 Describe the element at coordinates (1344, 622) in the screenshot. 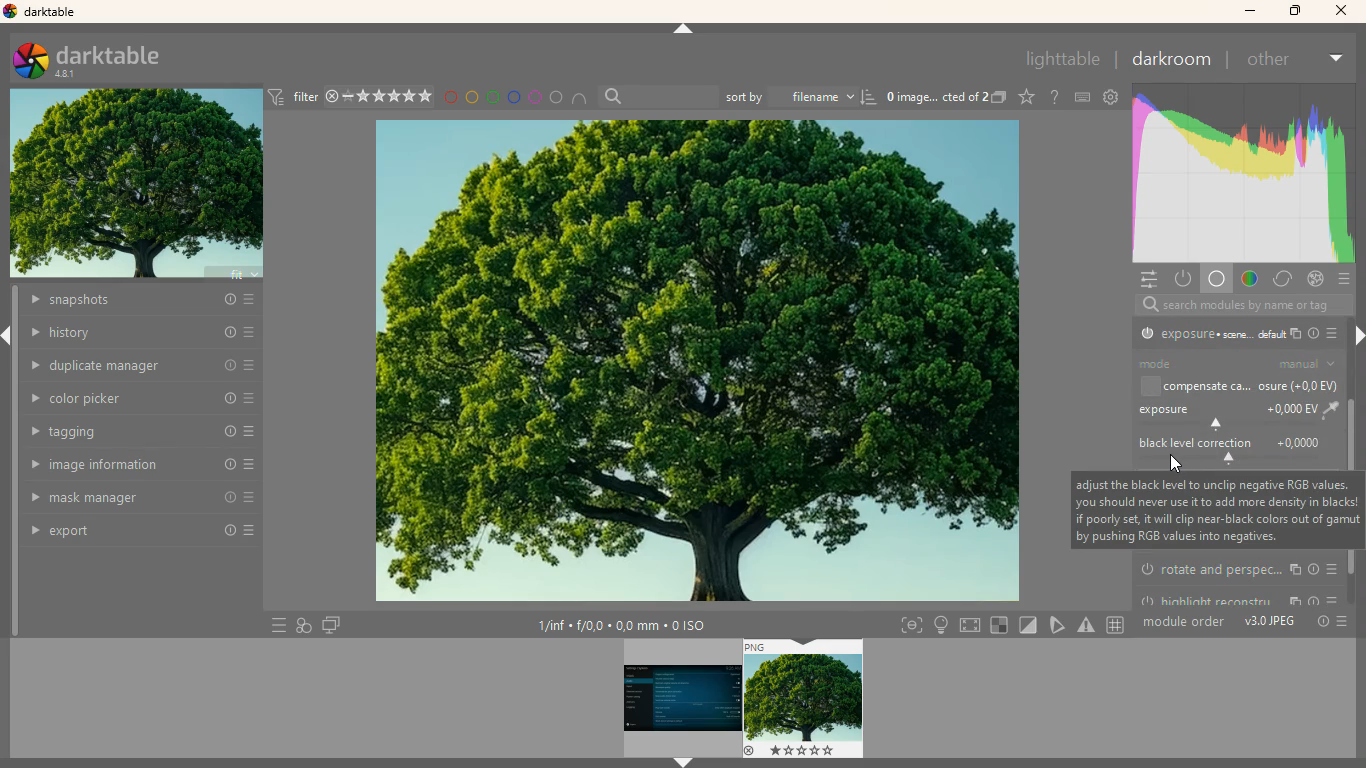

I see `` at that location.